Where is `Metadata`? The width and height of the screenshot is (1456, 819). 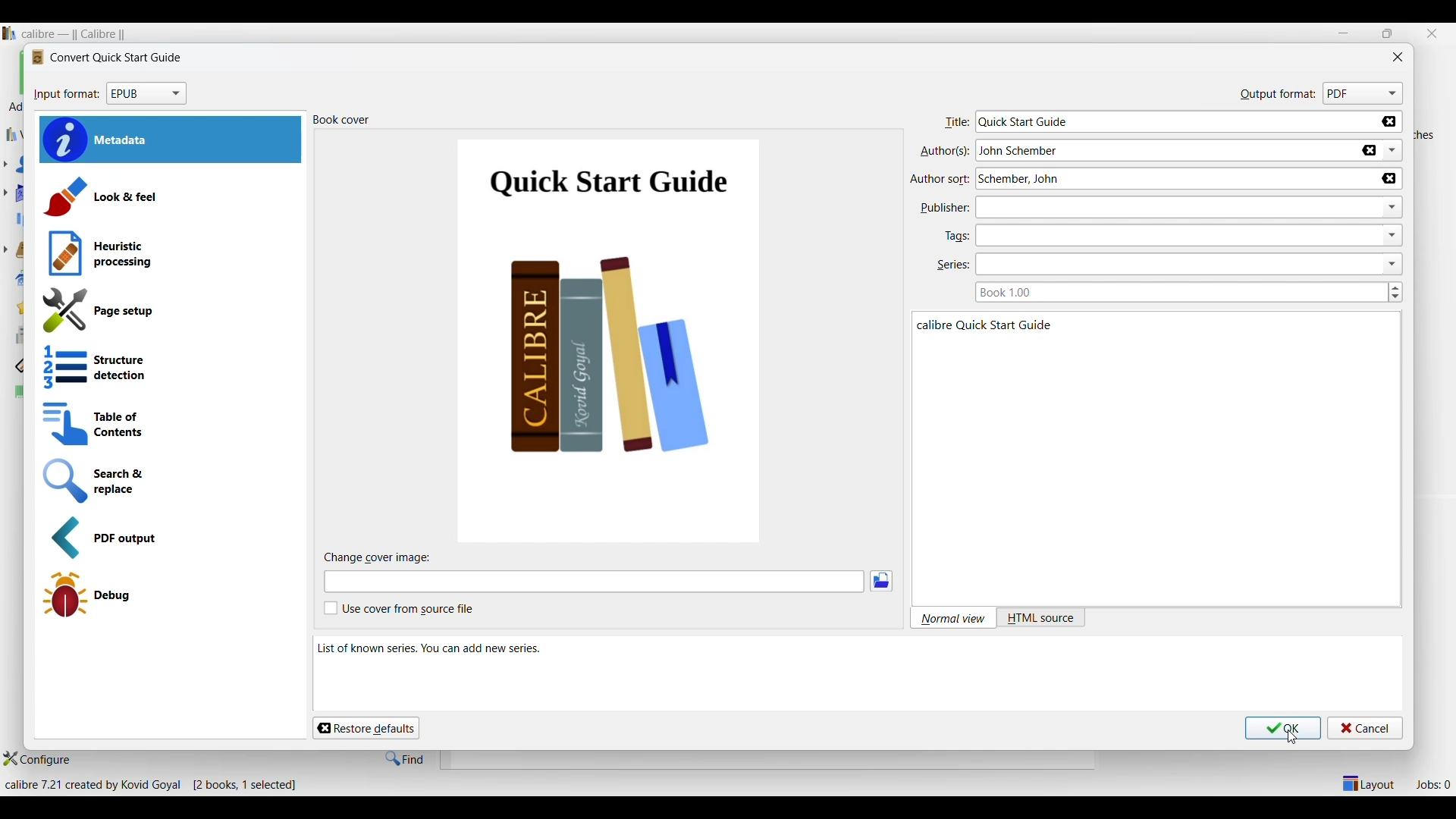 Metadata is located at coordinates (170, 140).